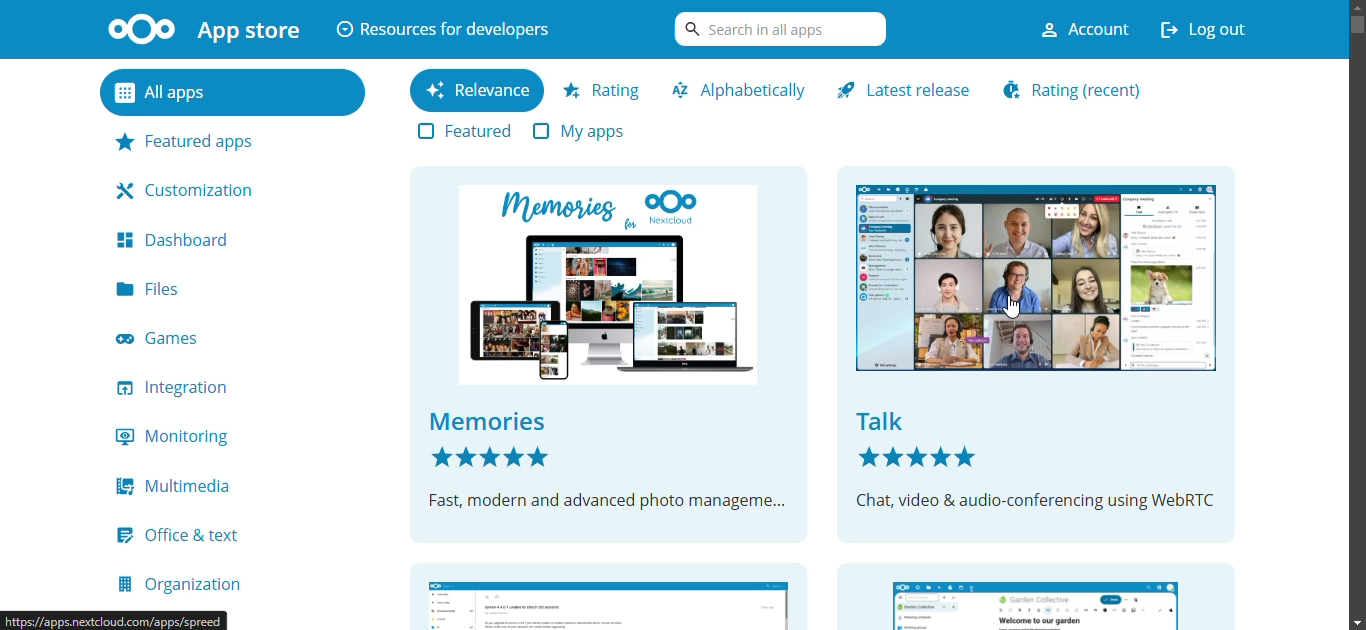 The height and width of the screenshot is (630, 1366). What do you see at coordinates (906, 91) in the screenshot?
I see `latest release` at bounding box center [906, 91].